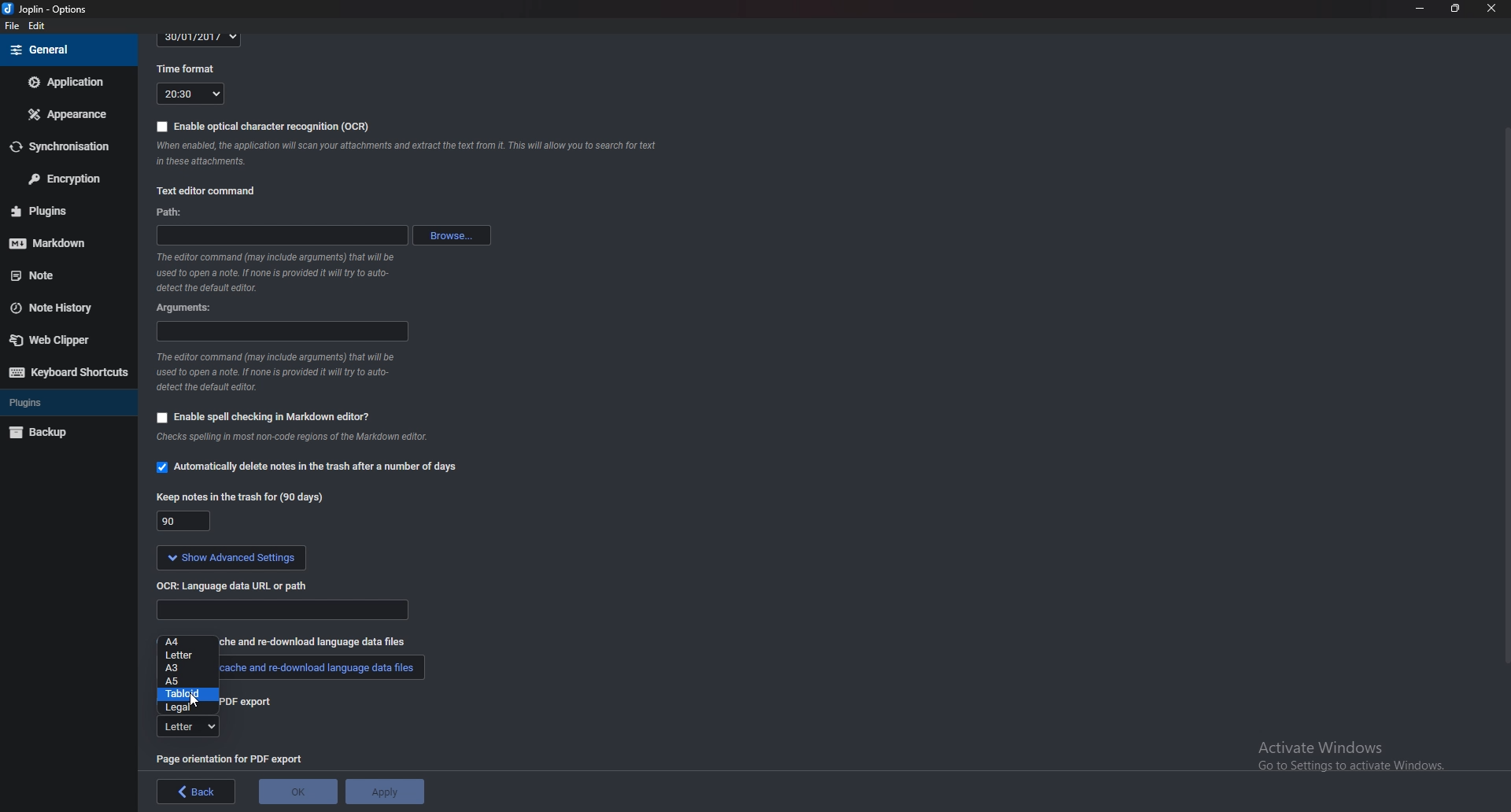  What do you see at coordinates (59, 309) in the screenshot?
I see `Note history` at bounding box center [59, 309].